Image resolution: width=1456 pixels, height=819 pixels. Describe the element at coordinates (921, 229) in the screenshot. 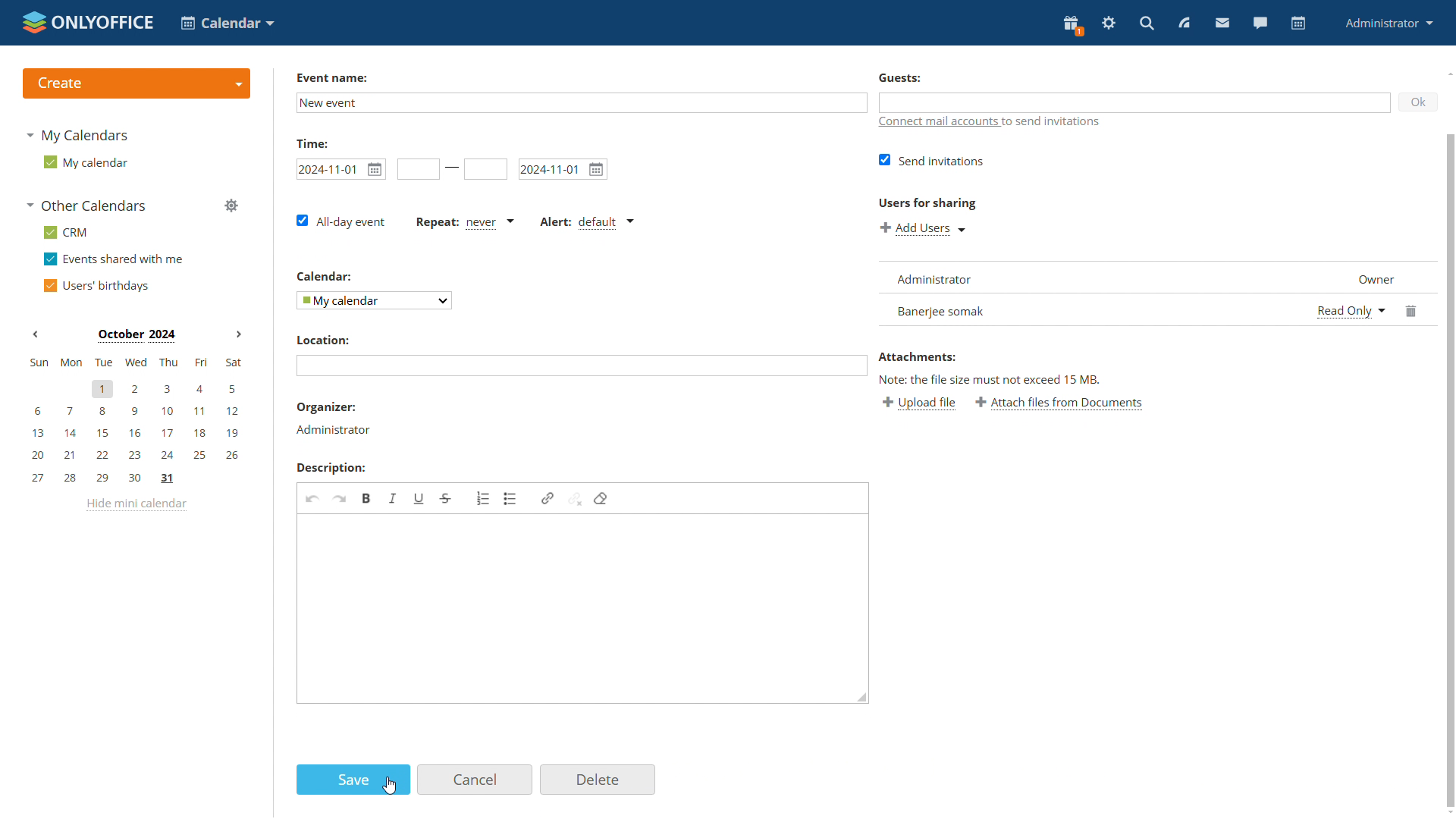

I see `add users` at that location.